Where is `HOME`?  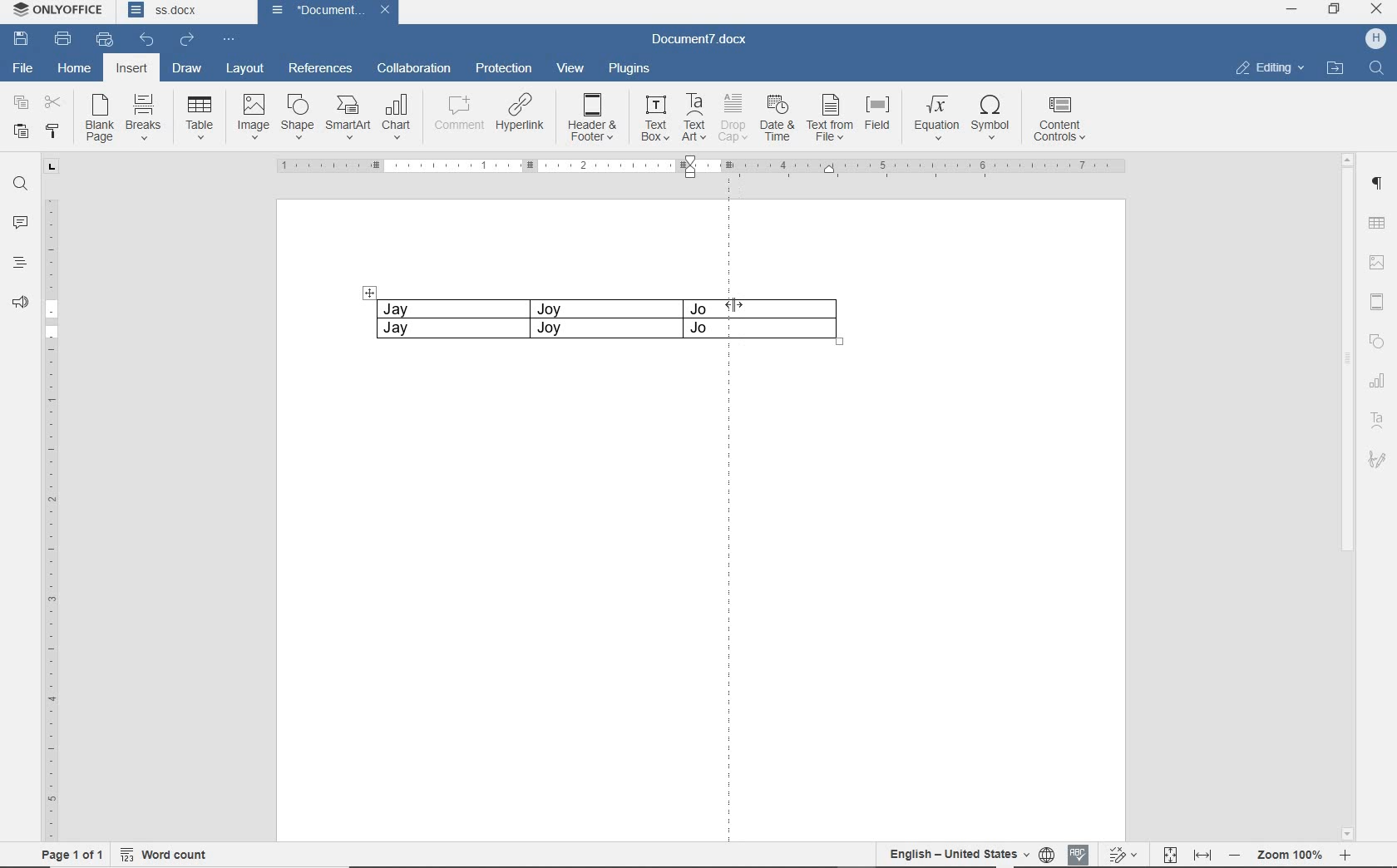
HOME is located at coordinates (76, 67).